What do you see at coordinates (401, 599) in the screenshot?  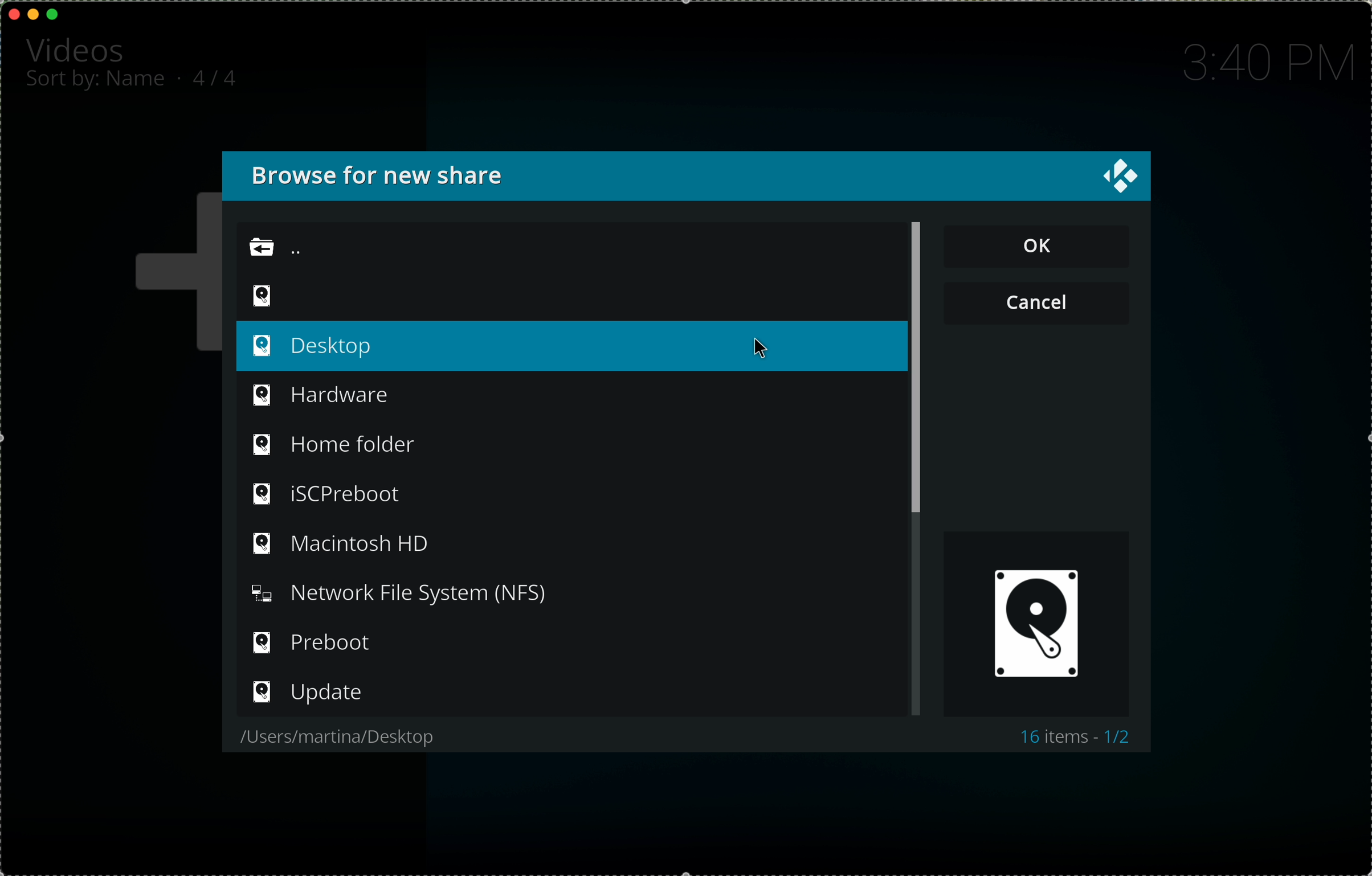 I see `NFS` at bounding box center [401, 599].